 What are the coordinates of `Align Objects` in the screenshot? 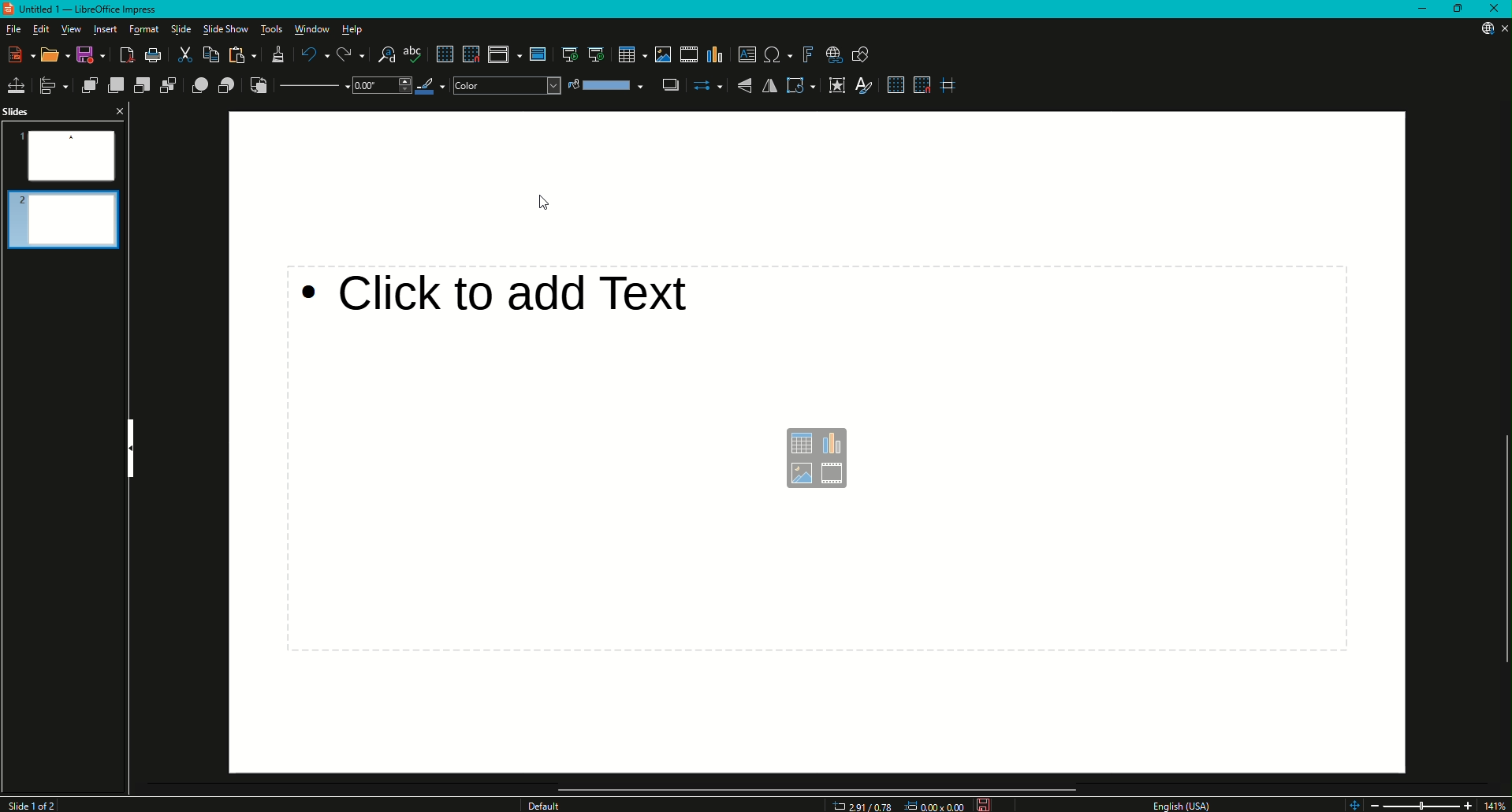 It's located at (52, 85).